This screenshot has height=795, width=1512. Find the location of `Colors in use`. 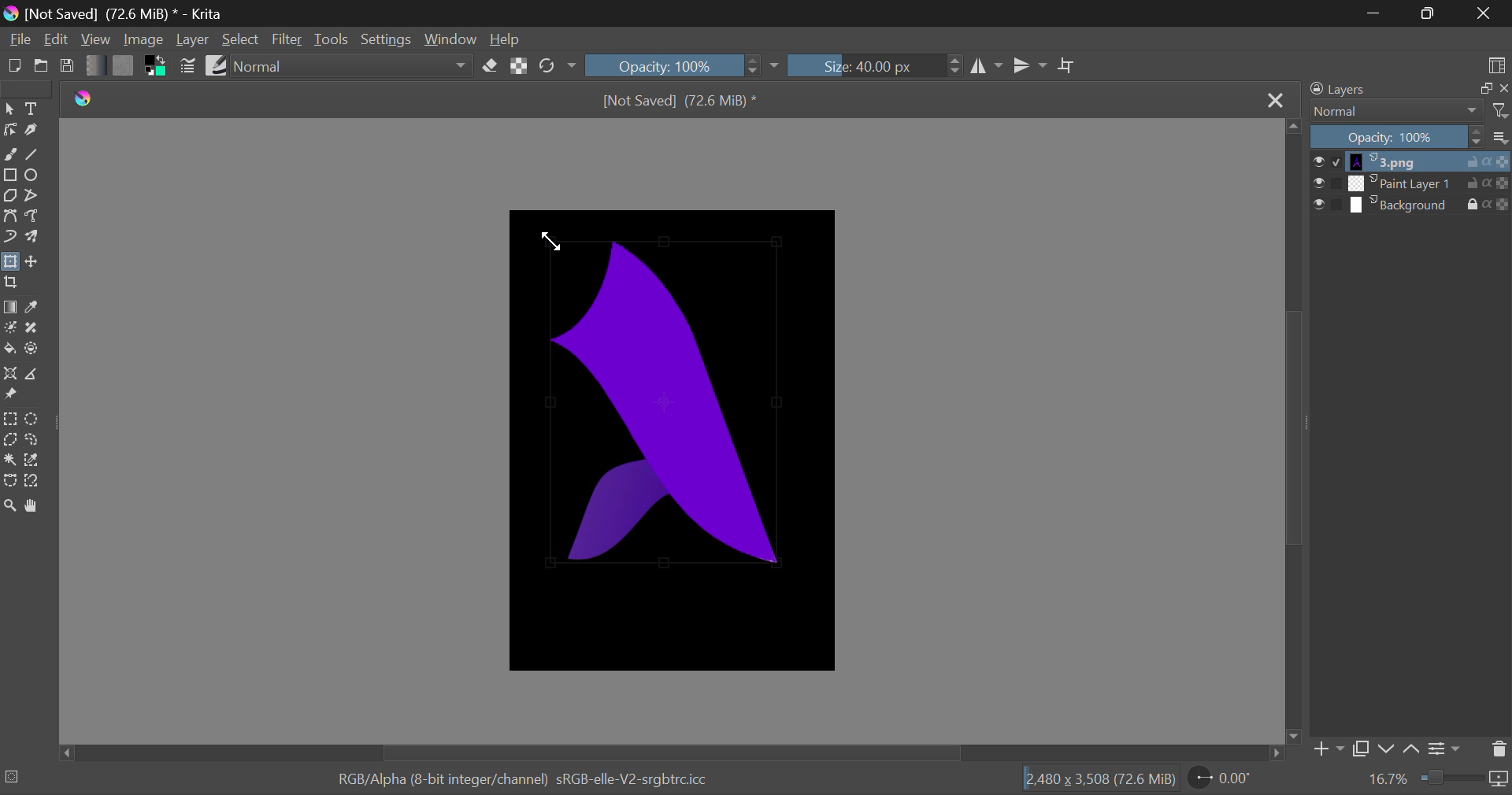

Colors in use is located at coordinates (157, 66).